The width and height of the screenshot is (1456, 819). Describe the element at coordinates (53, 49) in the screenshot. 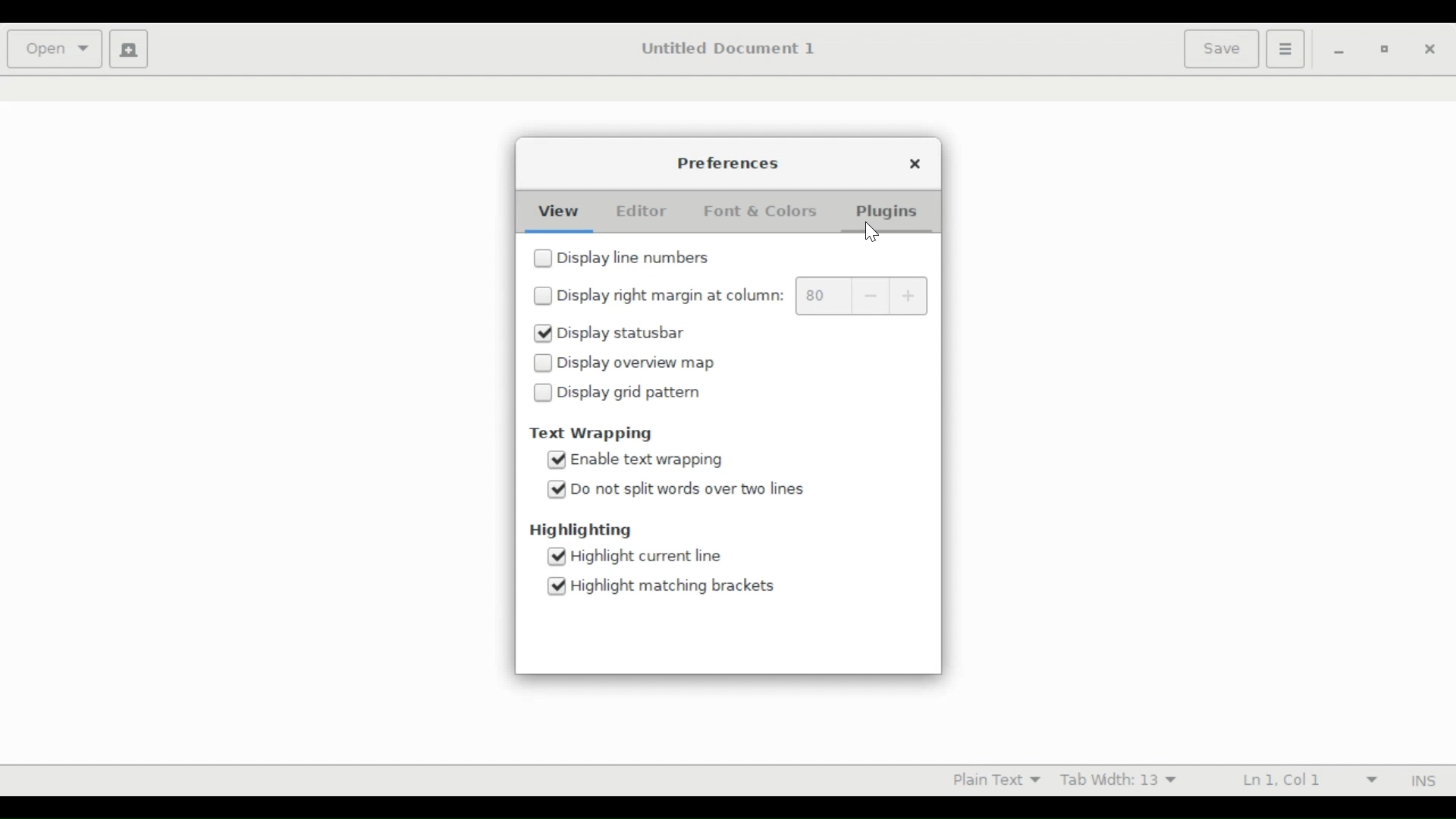

I see `Open` at that location.